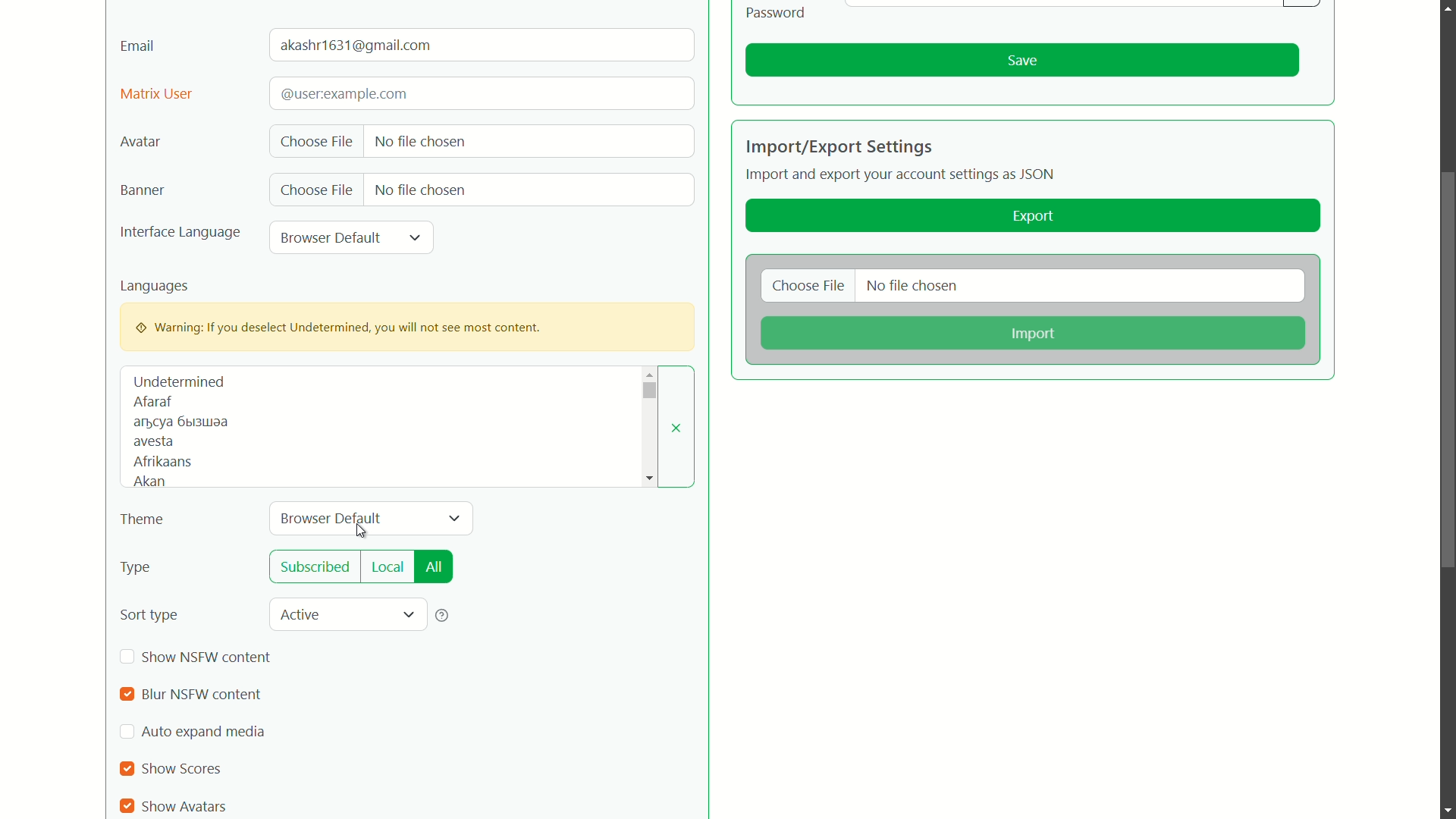  Describe the element at coordinates (128, 657) in the screenshot. I see `checkbox` at that location.